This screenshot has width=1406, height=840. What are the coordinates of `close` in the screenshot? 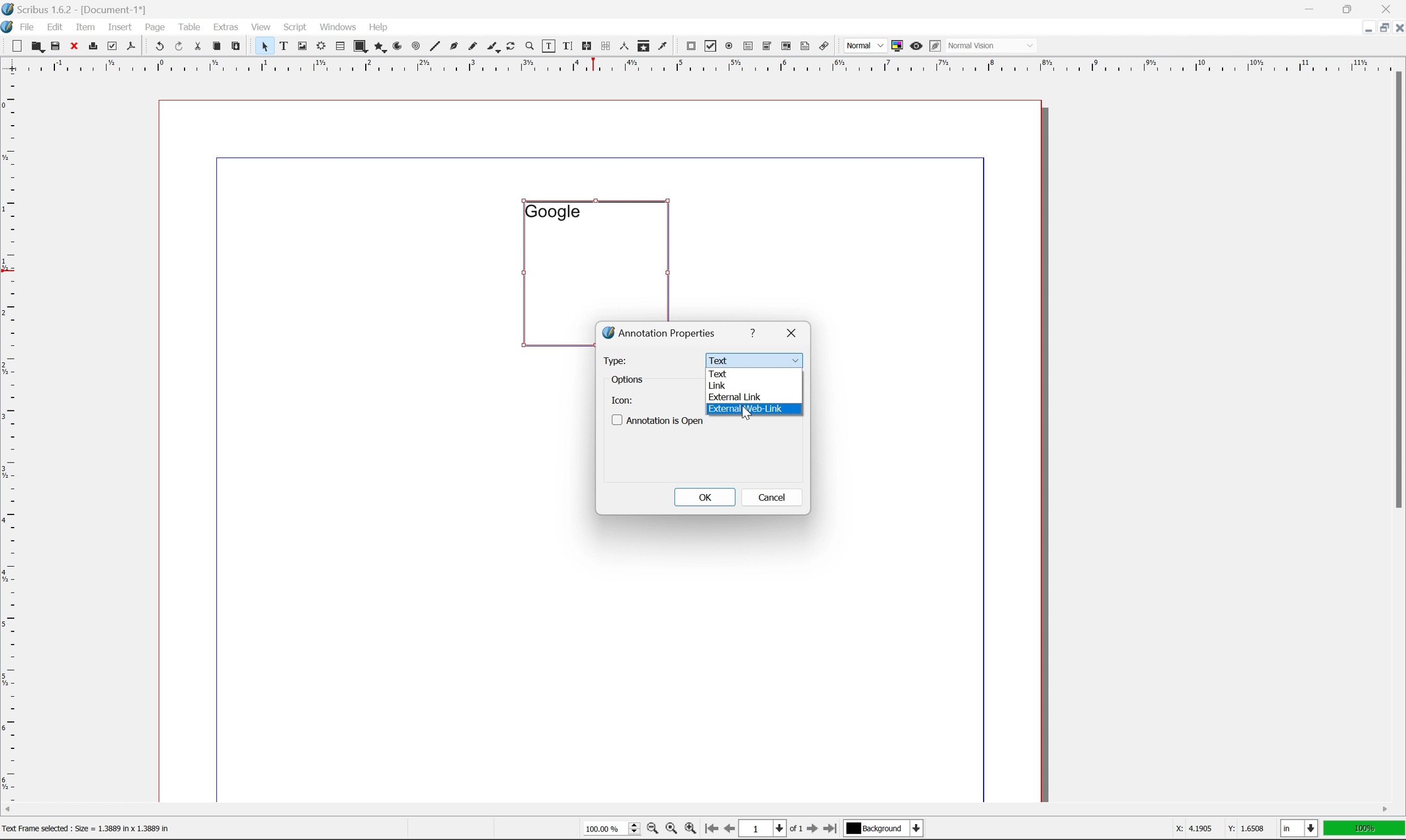 It's located at (1397, 27).